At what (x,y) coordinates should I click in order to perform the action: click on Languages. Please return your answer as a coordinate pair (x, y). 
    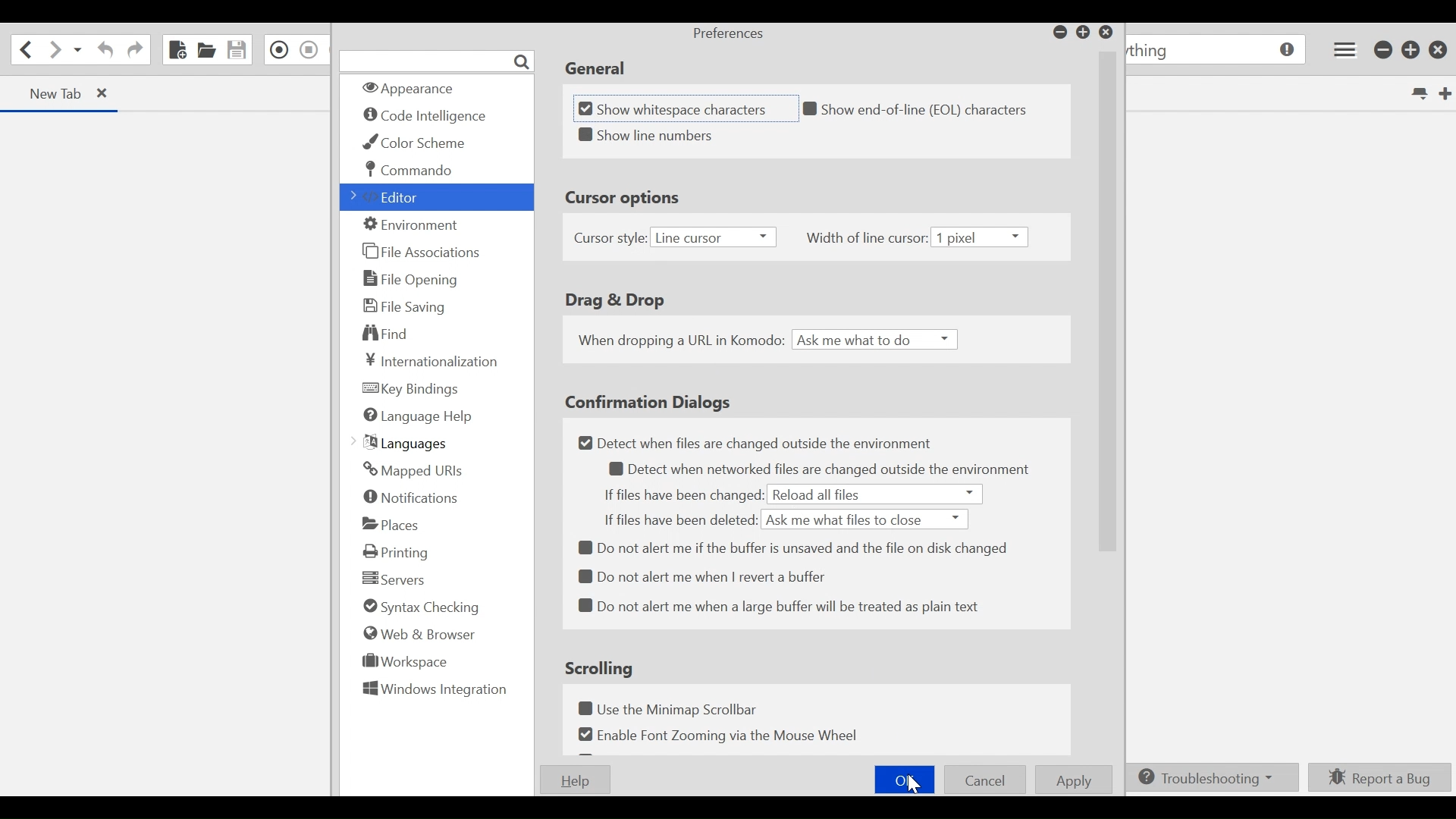
    Looking at the image, I should click on (403, 442).